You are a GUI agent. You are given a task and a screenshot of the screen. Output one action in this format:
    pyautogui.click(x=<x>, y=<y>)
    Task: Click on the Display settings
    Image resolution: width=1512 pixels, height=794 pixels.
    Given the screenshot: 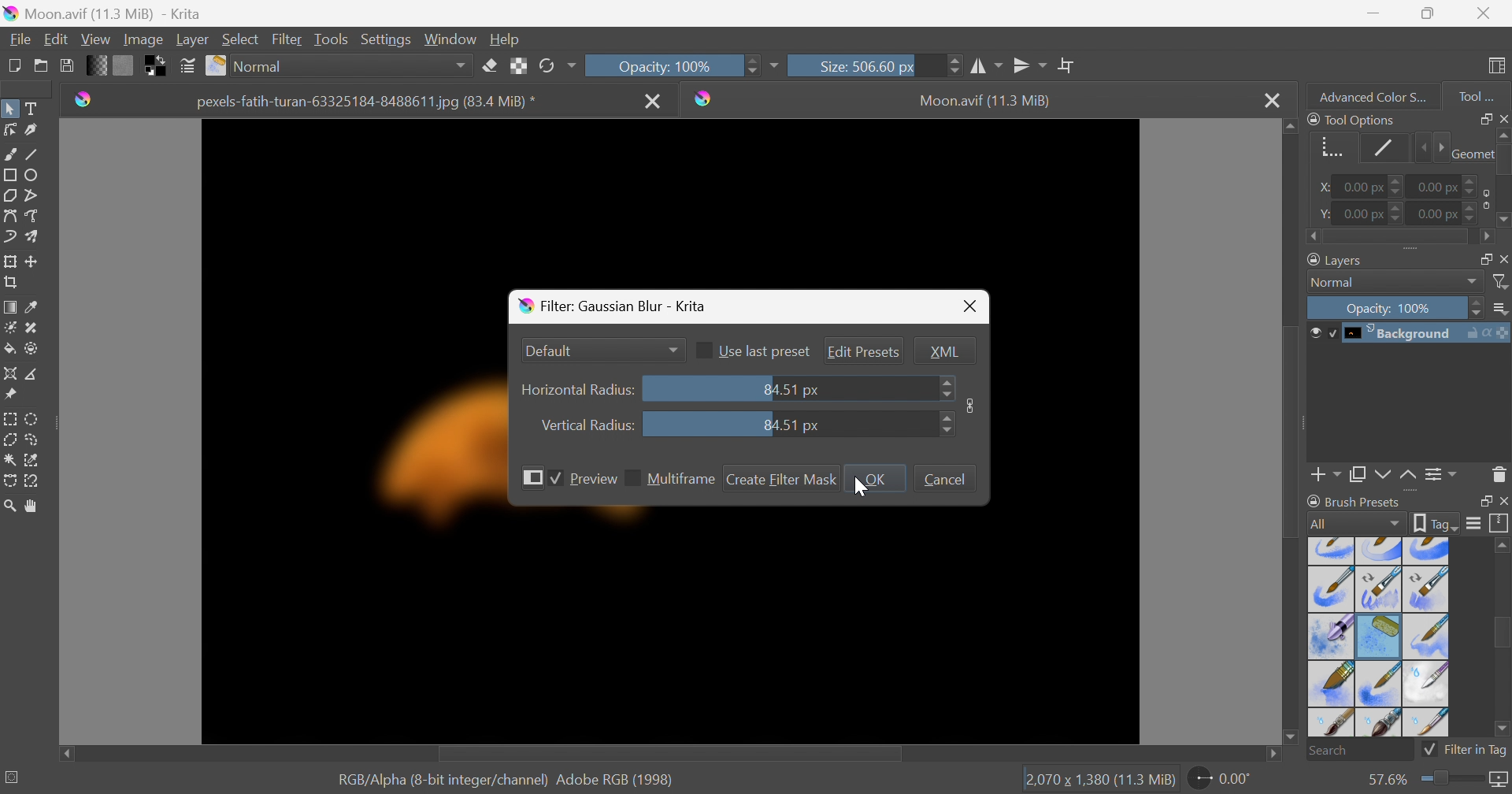 What is the action you would take?
    pyautogui.click(x=1477, y=522)
    